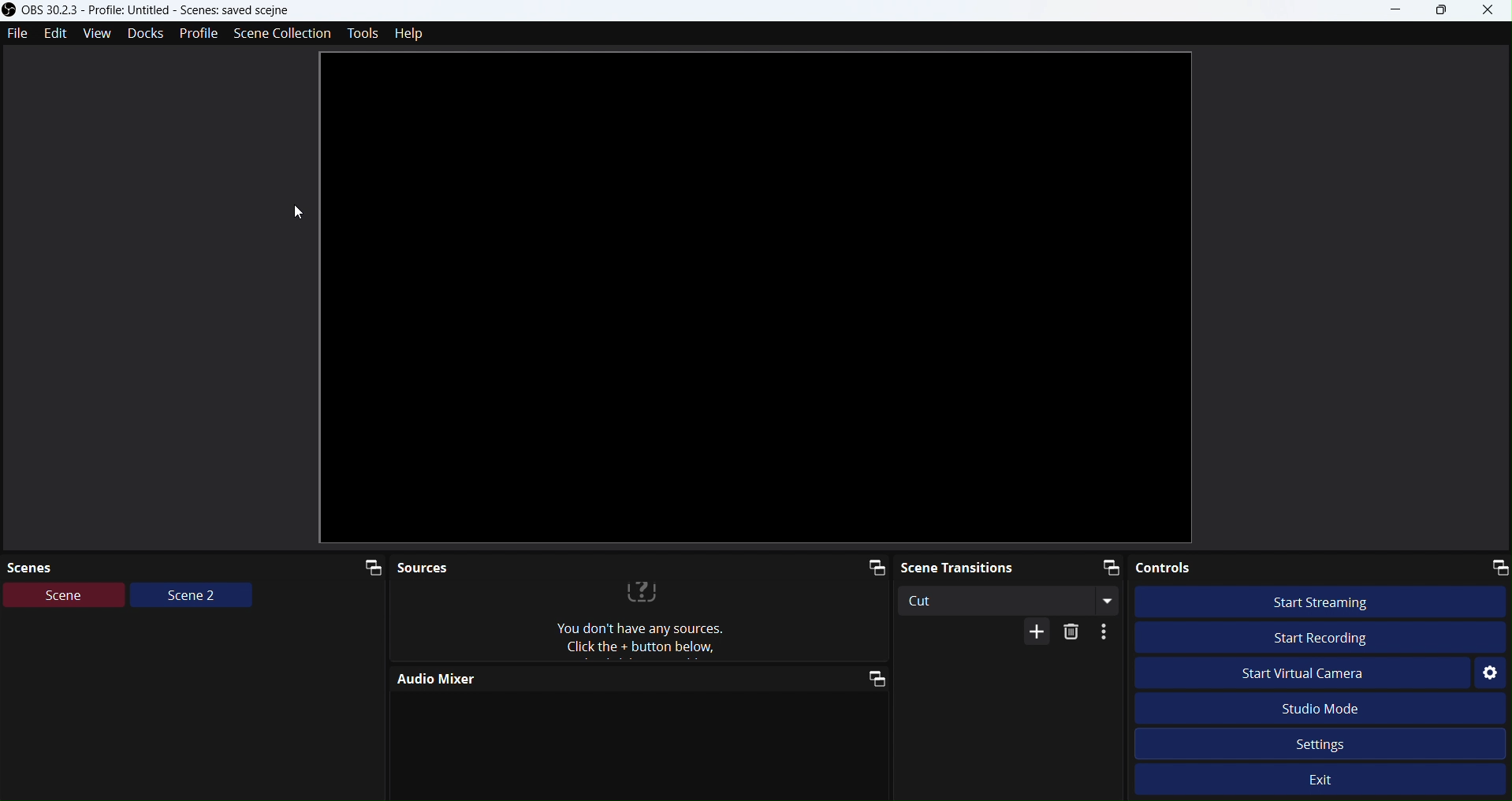  Describe the element at coordinates (145, 34) in the screenshot. I see `Docks` at that location.